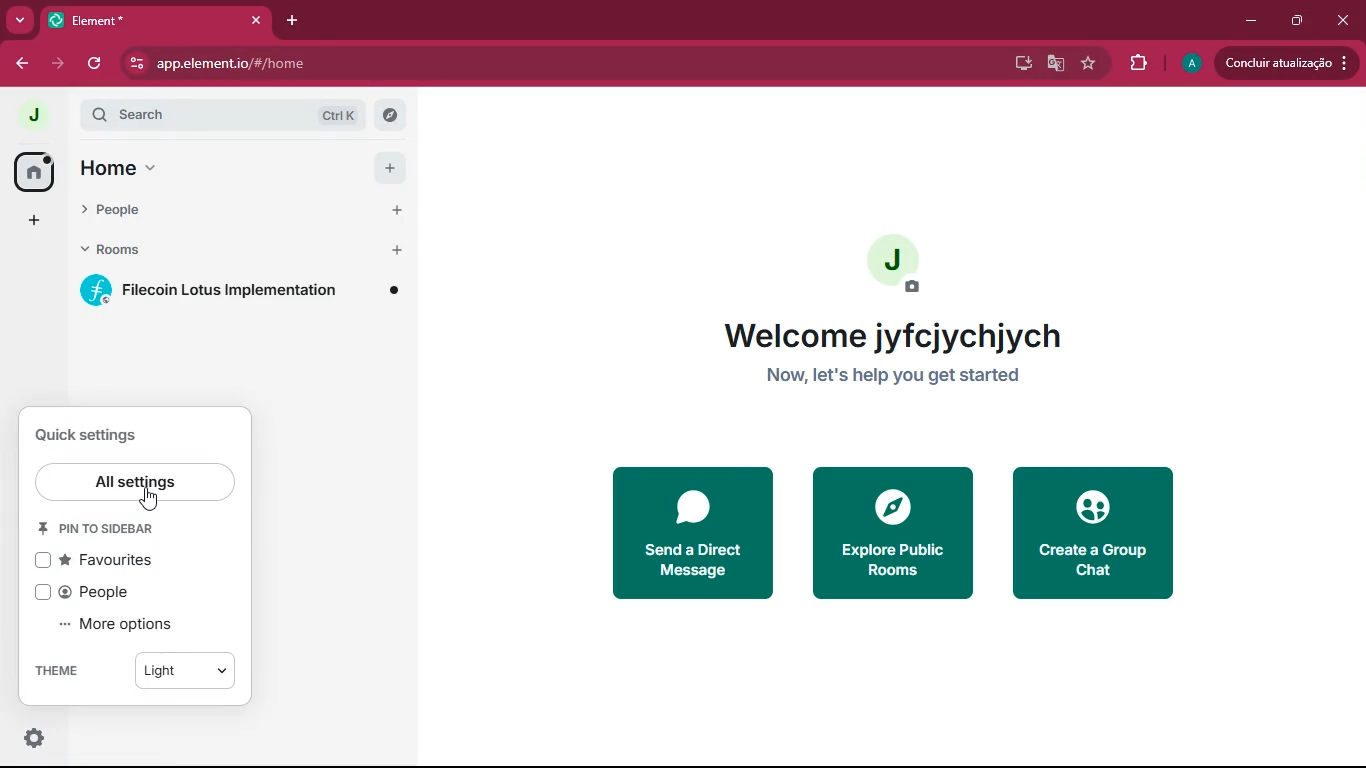 The height and width of the screenshot is (768, 1366). What do you see at coordinates (154, 499) in the screenshot?
I see `cursor on all settings` at bounding box center [154, 499].